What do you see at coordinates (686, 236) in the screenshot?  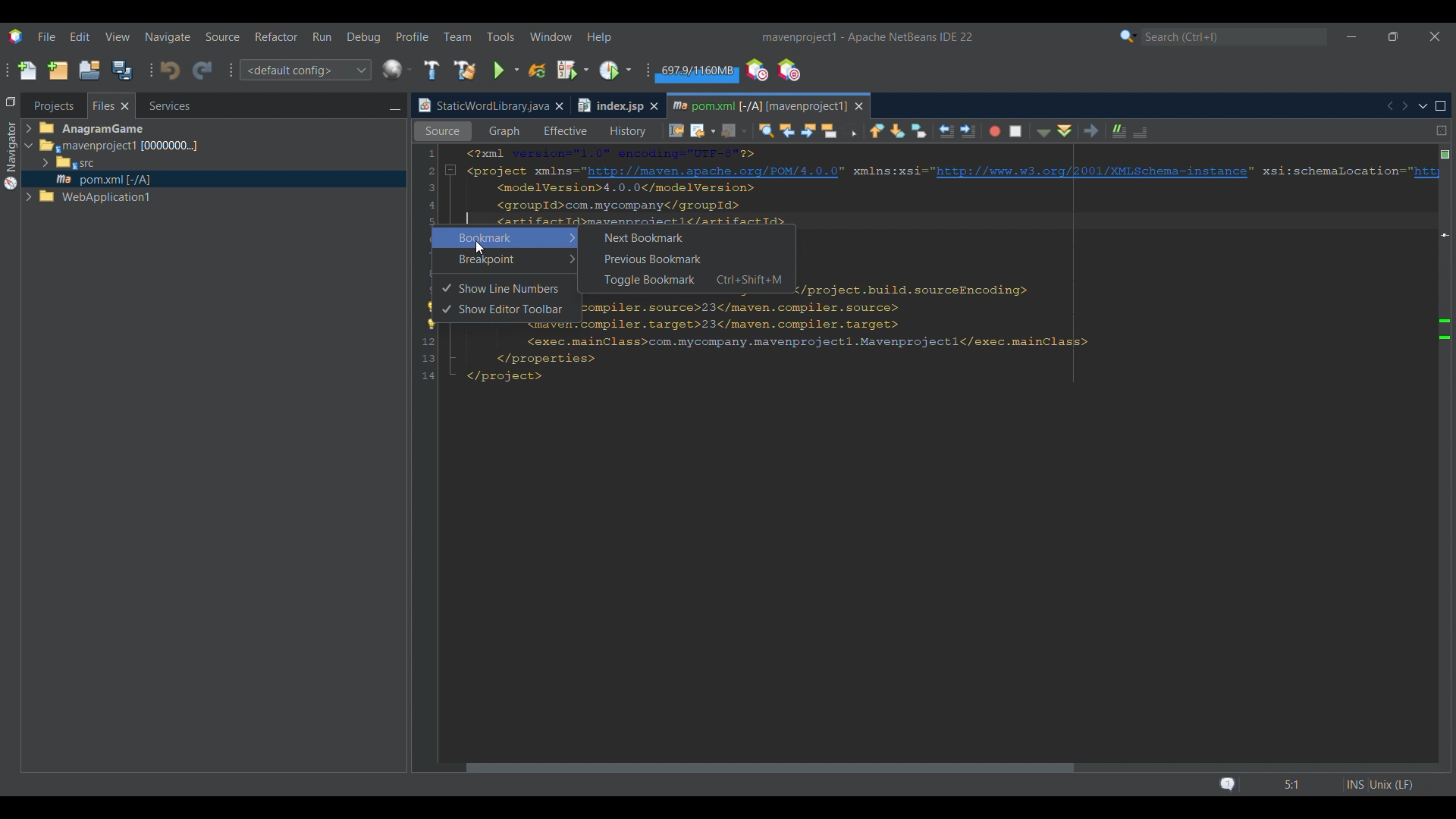 I see `Next Bookmark` at bounding box center [686, 236].